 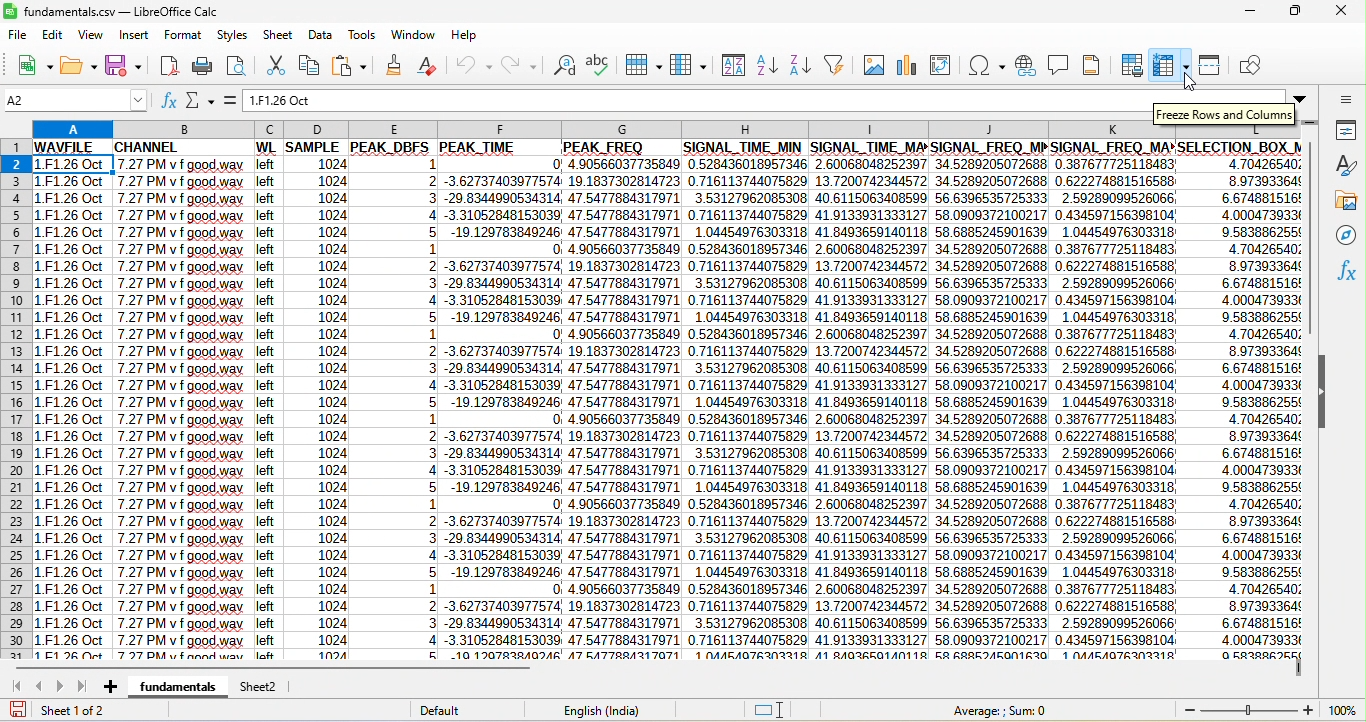 What do you see at coordinates (1265, 710) in the screenshot?
I see `zoom` at bounding box center [1265, 710].